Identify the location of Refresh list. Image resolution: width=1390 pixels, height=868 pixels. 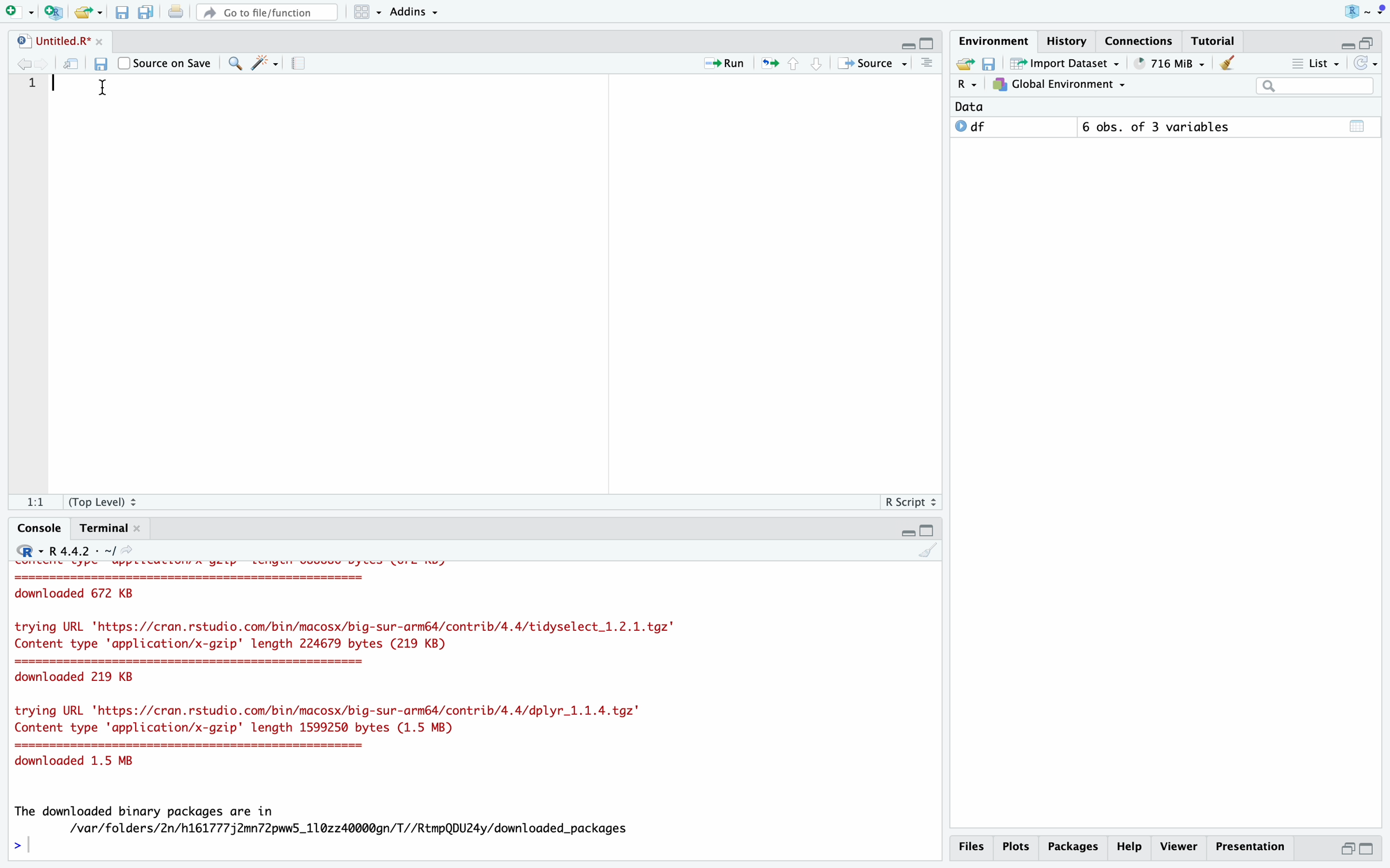
(1365, 63).